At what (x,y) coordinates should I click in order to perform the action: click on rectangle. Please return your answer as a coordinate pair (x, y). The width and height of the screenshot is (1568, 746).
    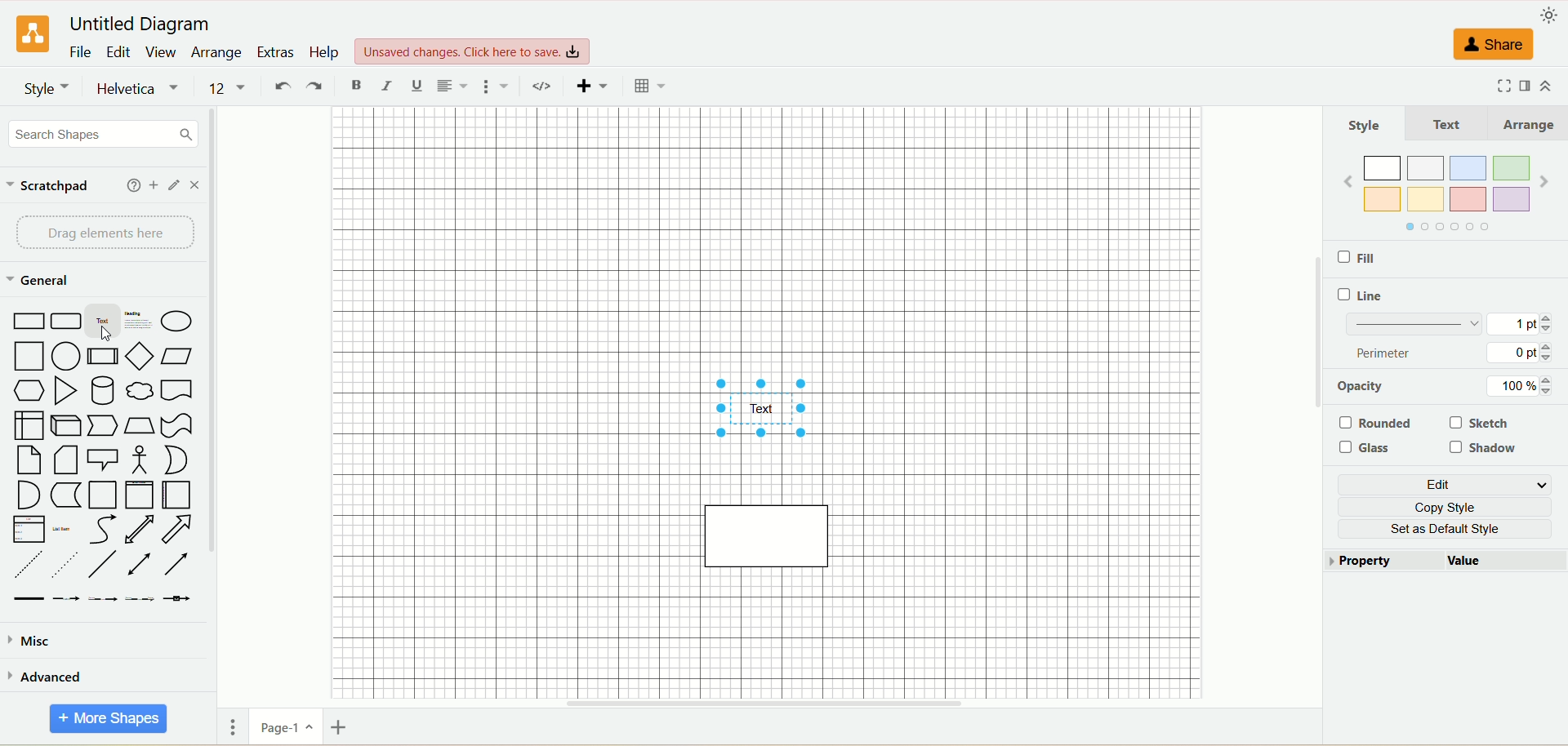
    Looking at the image, I should click on (26, 320).